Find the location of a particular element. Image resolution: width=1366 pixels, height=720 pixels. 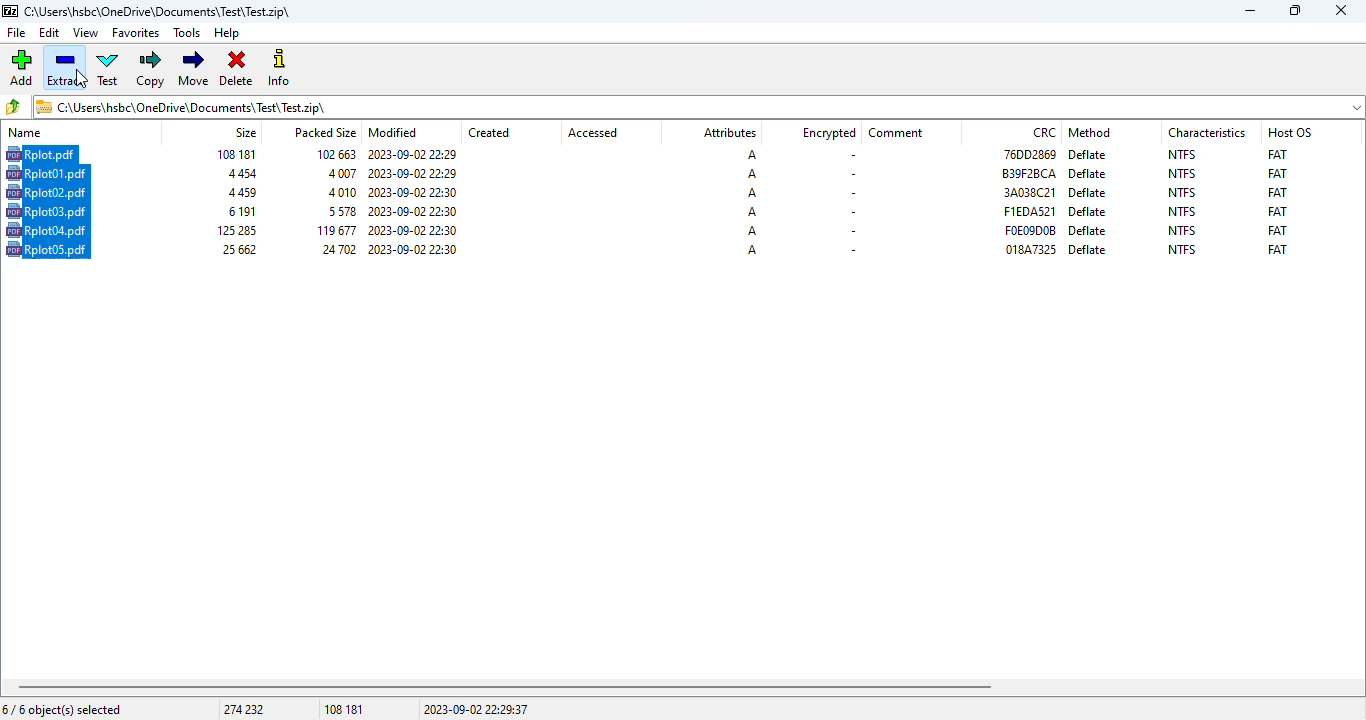

6/6 object(s) selected is located at coordinates (62, 709).